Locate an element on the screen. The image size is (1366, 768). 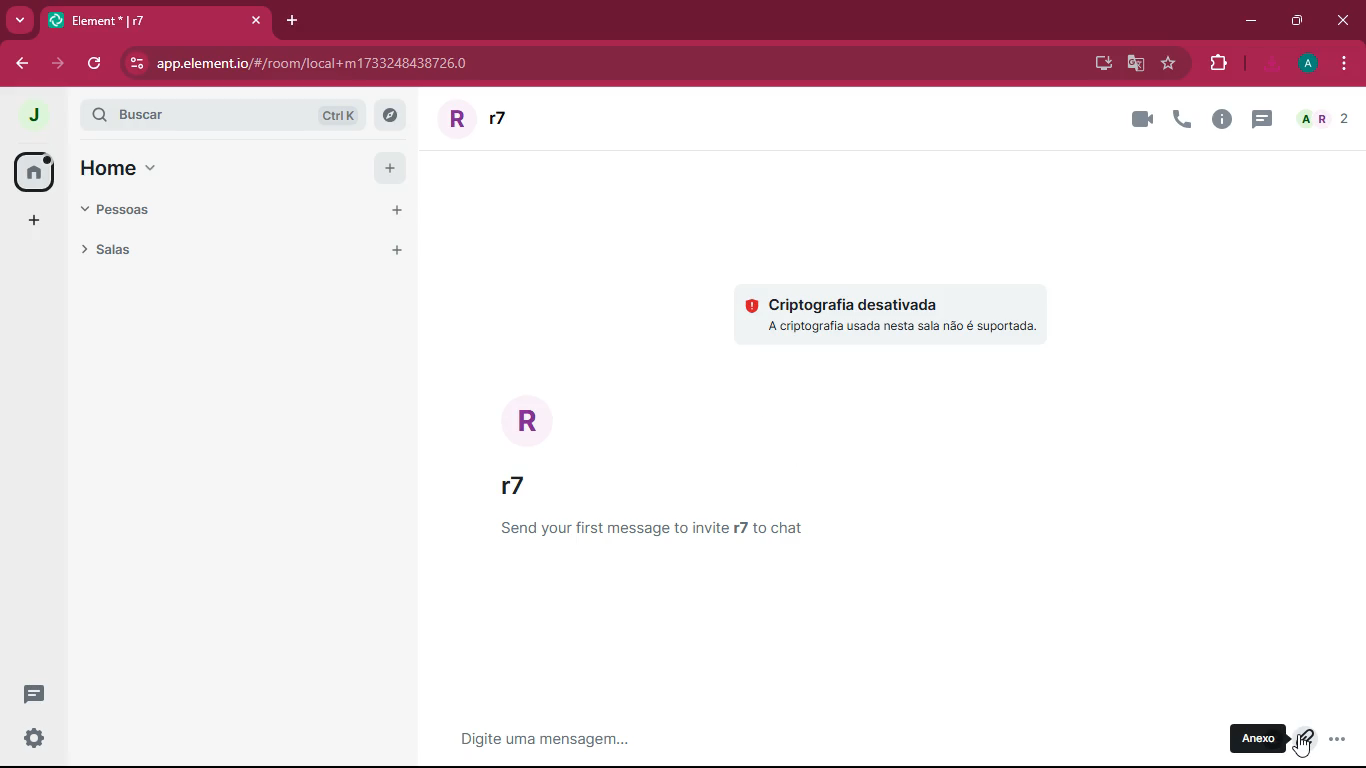
favorite is located at coordinates (1169, 64).